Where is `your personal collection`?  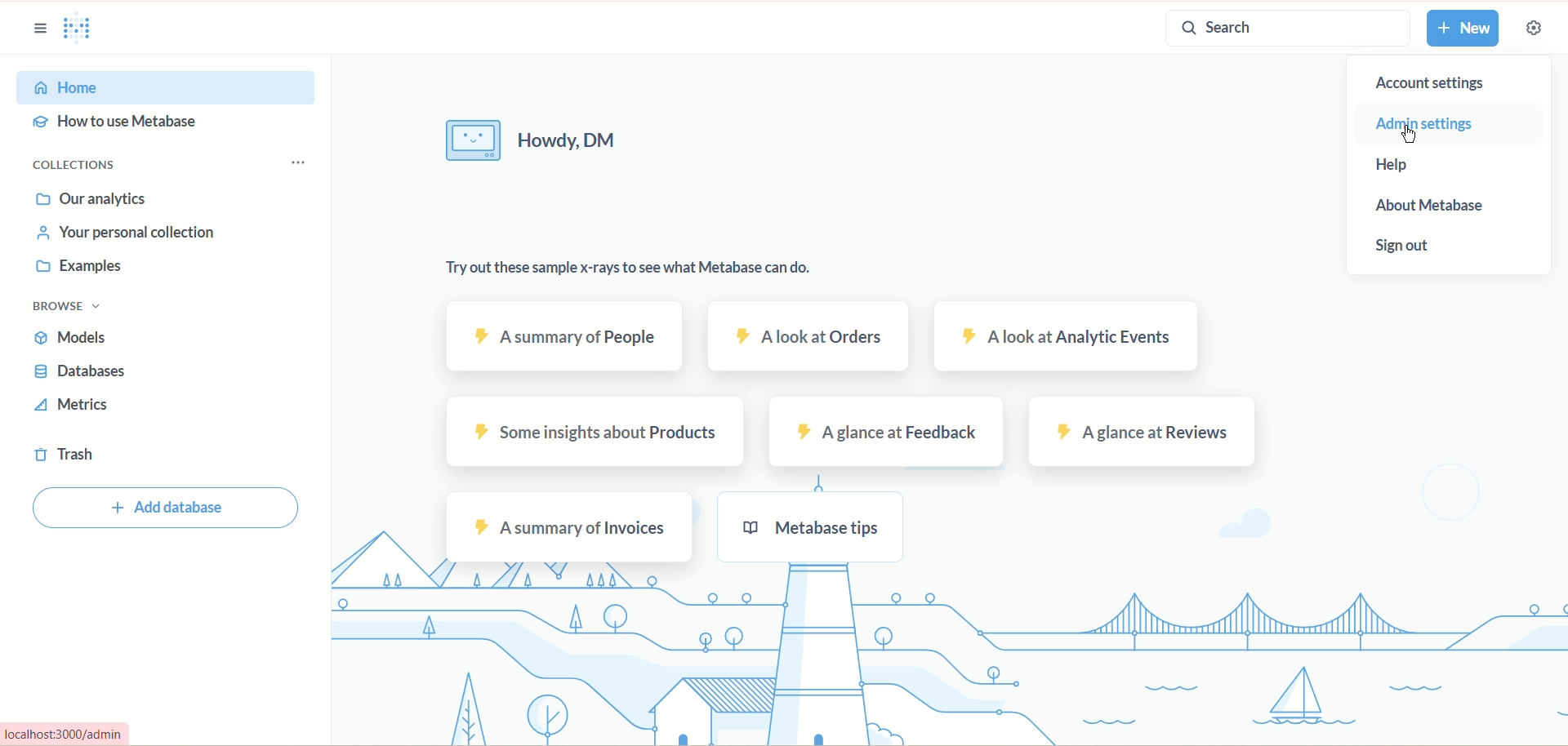
your personal collection is located at coordinates (127, 233).